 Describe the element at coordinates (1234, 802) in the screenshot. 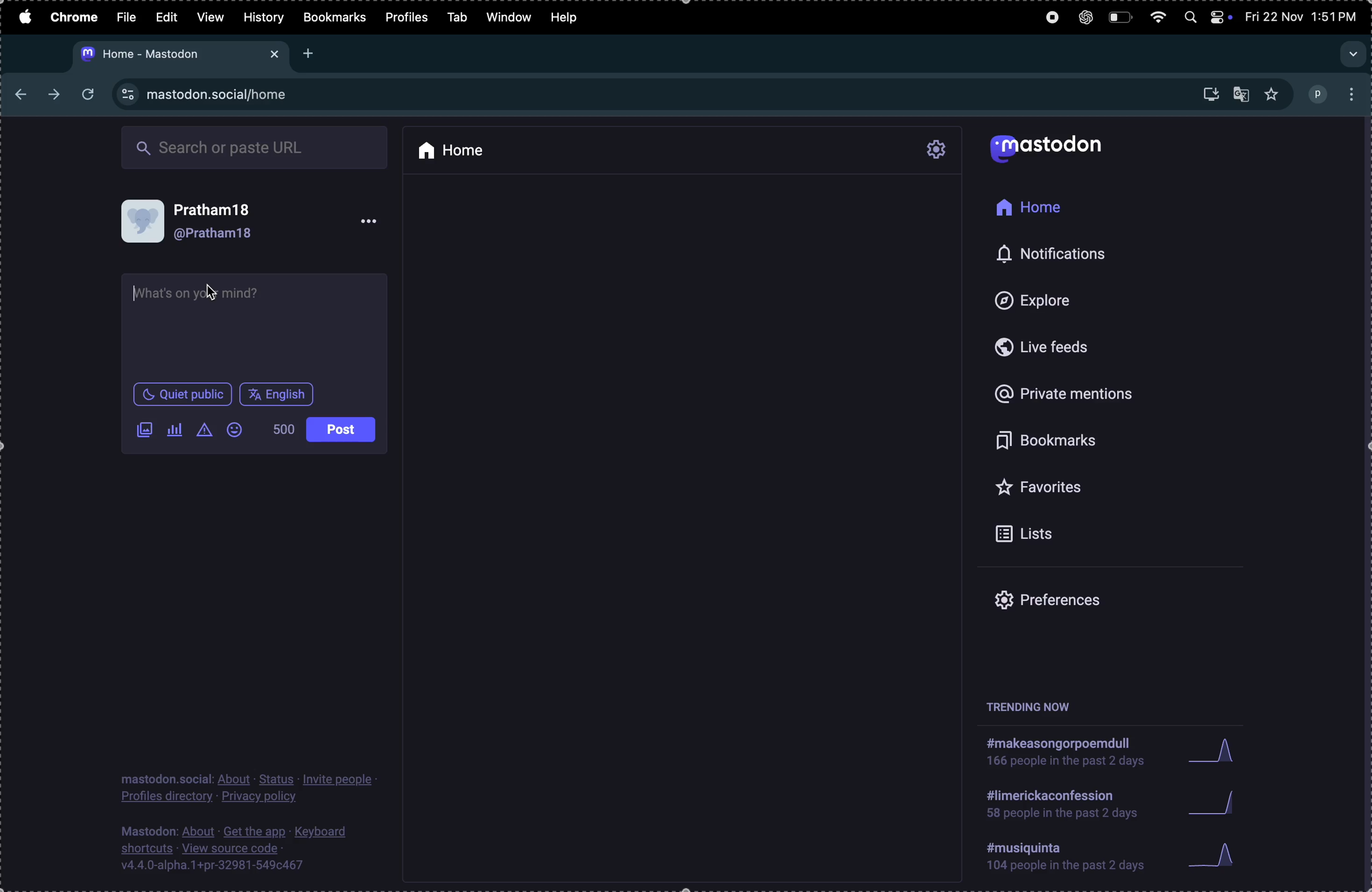

I see `graphs` at that location.